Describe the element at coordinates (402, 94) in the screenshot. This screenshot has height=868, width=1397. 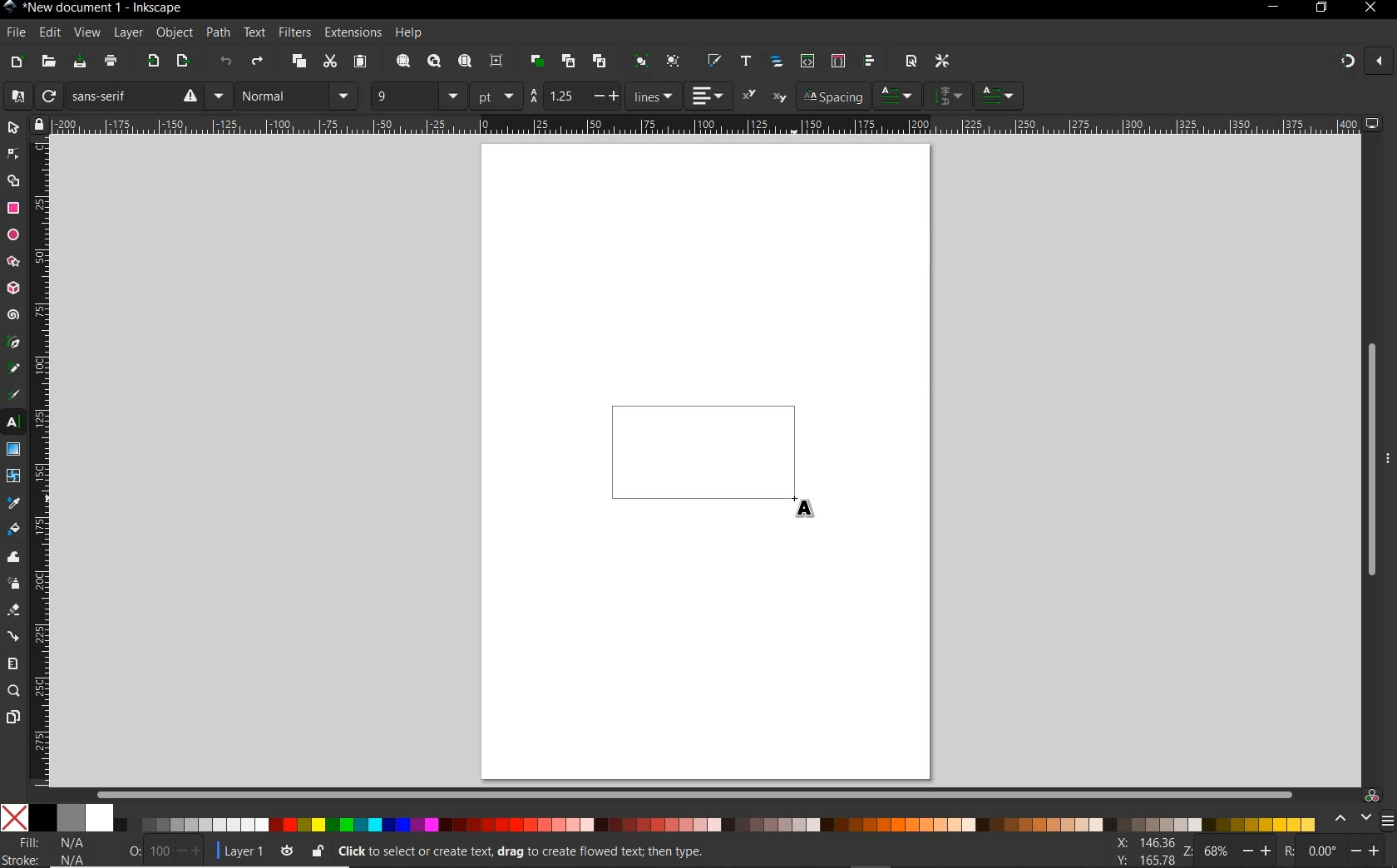
I see `9` at that location.